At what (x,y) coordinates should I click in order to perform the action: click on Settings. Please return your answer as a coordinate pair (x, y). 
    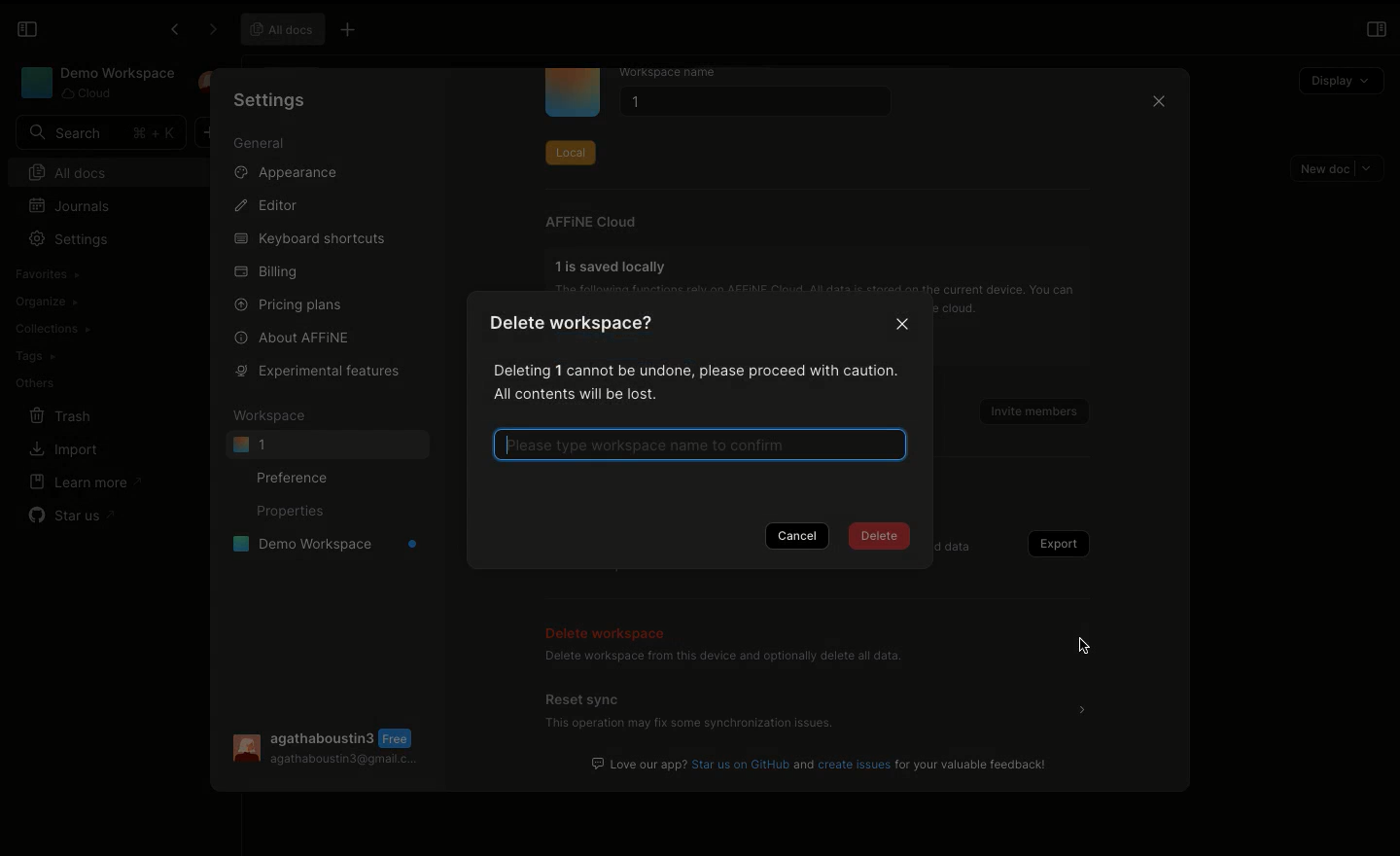
    Looking at the image, I should click on (270, 99).